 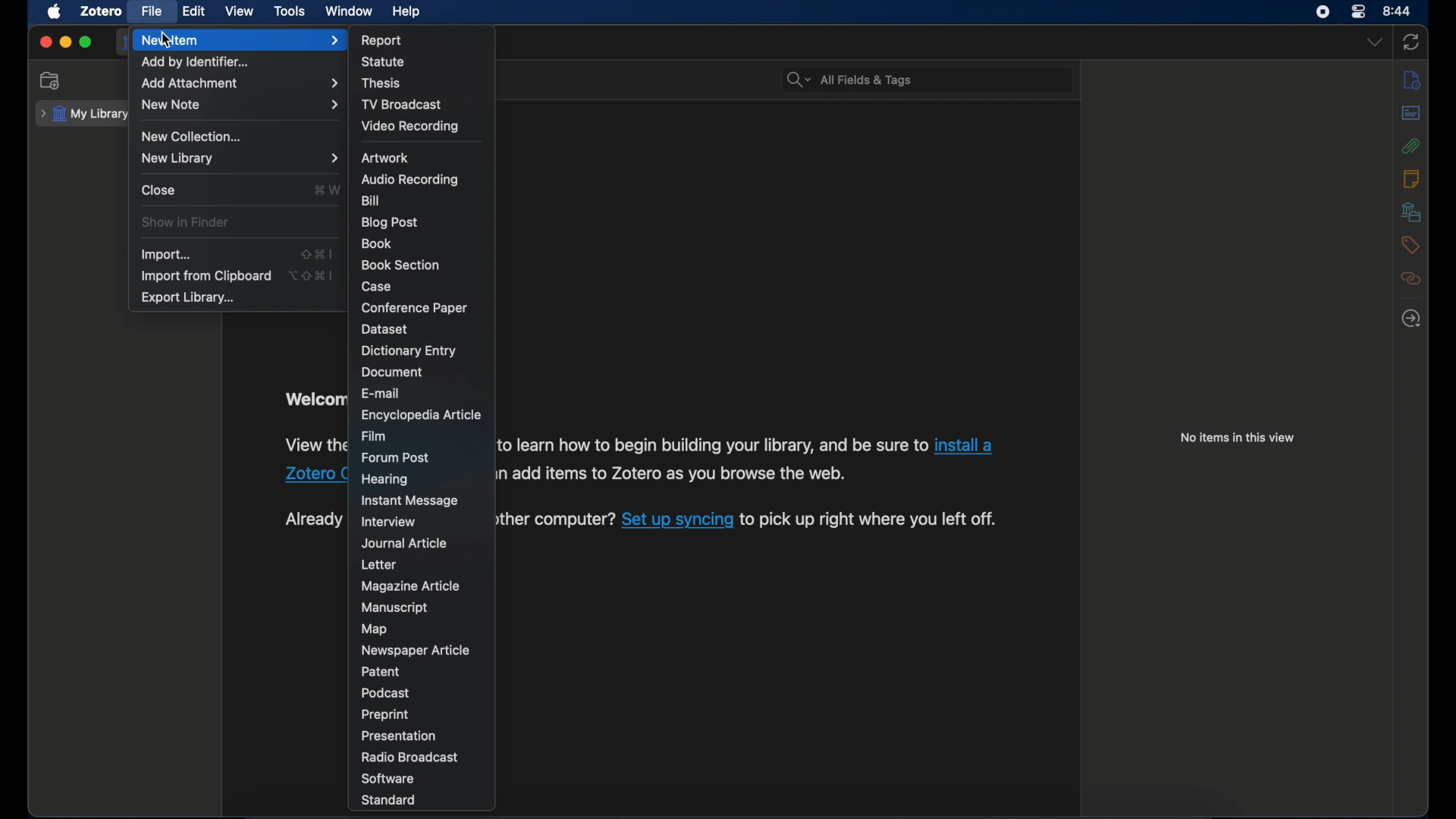 What do you see at coordinates (383, 158) in the screenshot?
I see `artwork` at bounding box center [383, 158].